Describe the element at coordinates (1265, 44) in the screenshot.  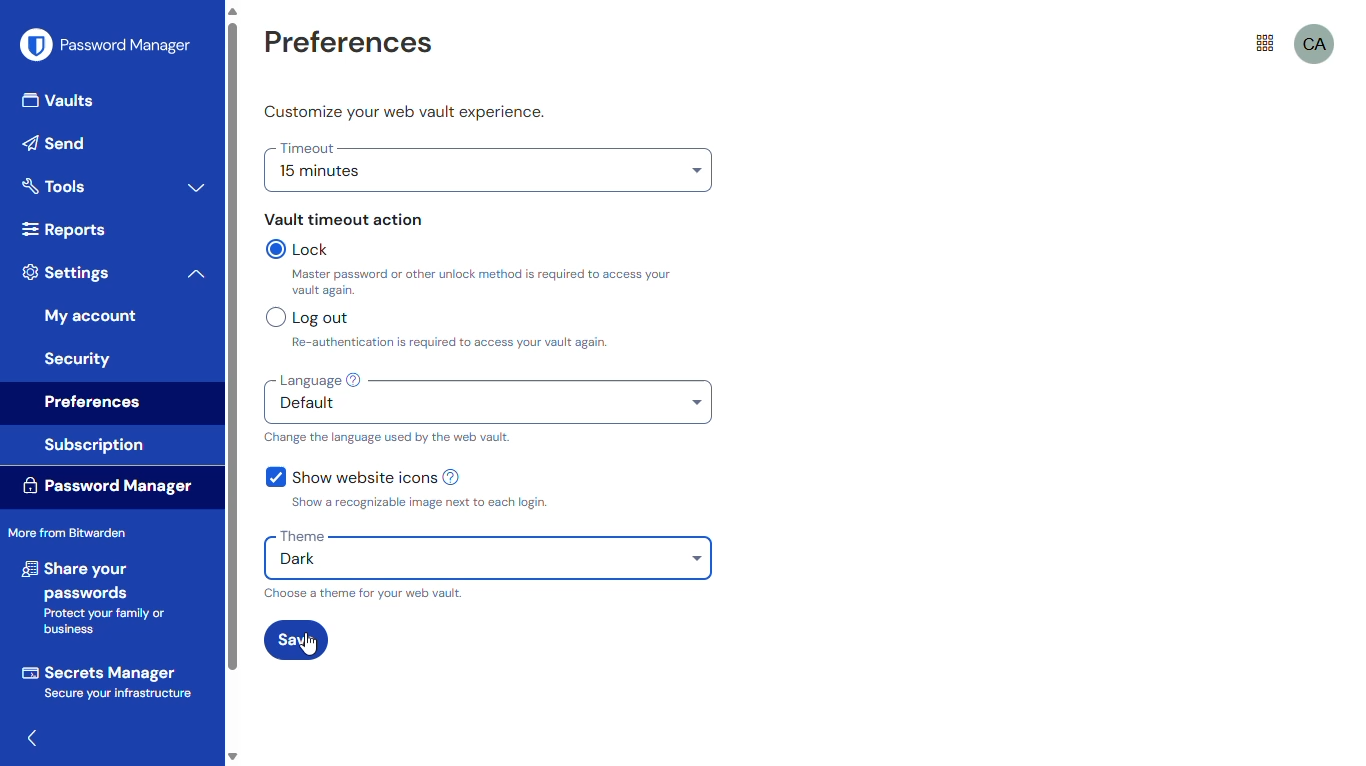
I see `more from bitwarden` at that location.